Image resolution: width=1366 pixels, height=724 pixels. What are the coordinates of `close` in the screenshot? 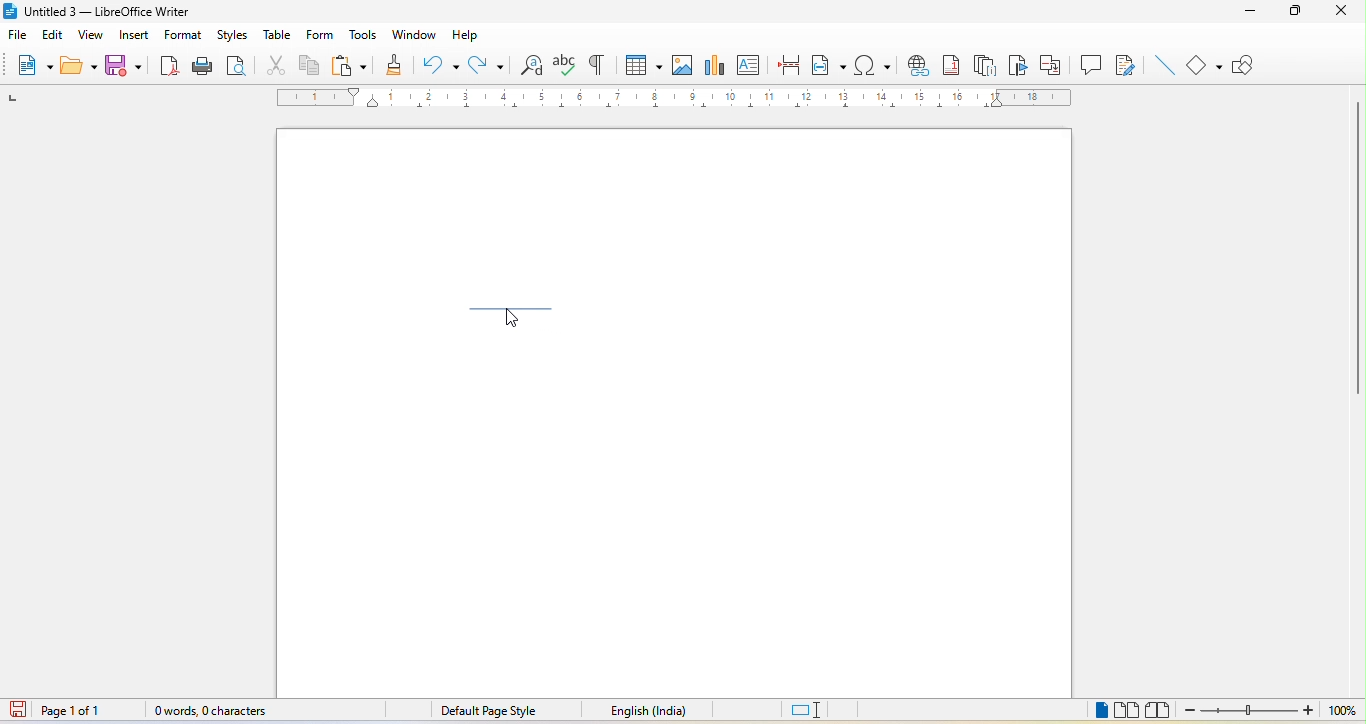 It's located at (1343, 11).